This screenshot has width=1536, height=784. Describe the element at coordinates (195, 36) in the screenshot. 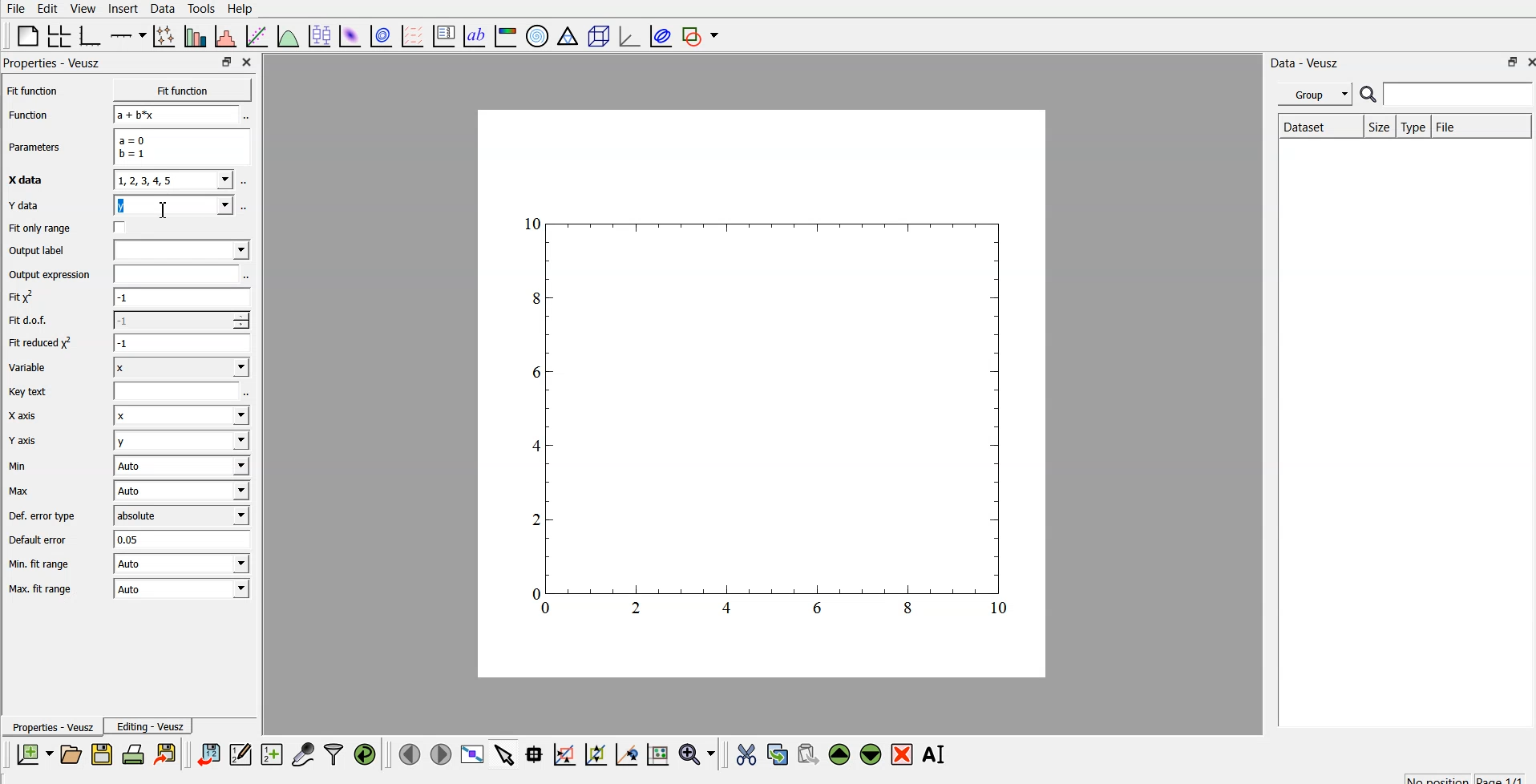

I see `plot bar charts` at that location.